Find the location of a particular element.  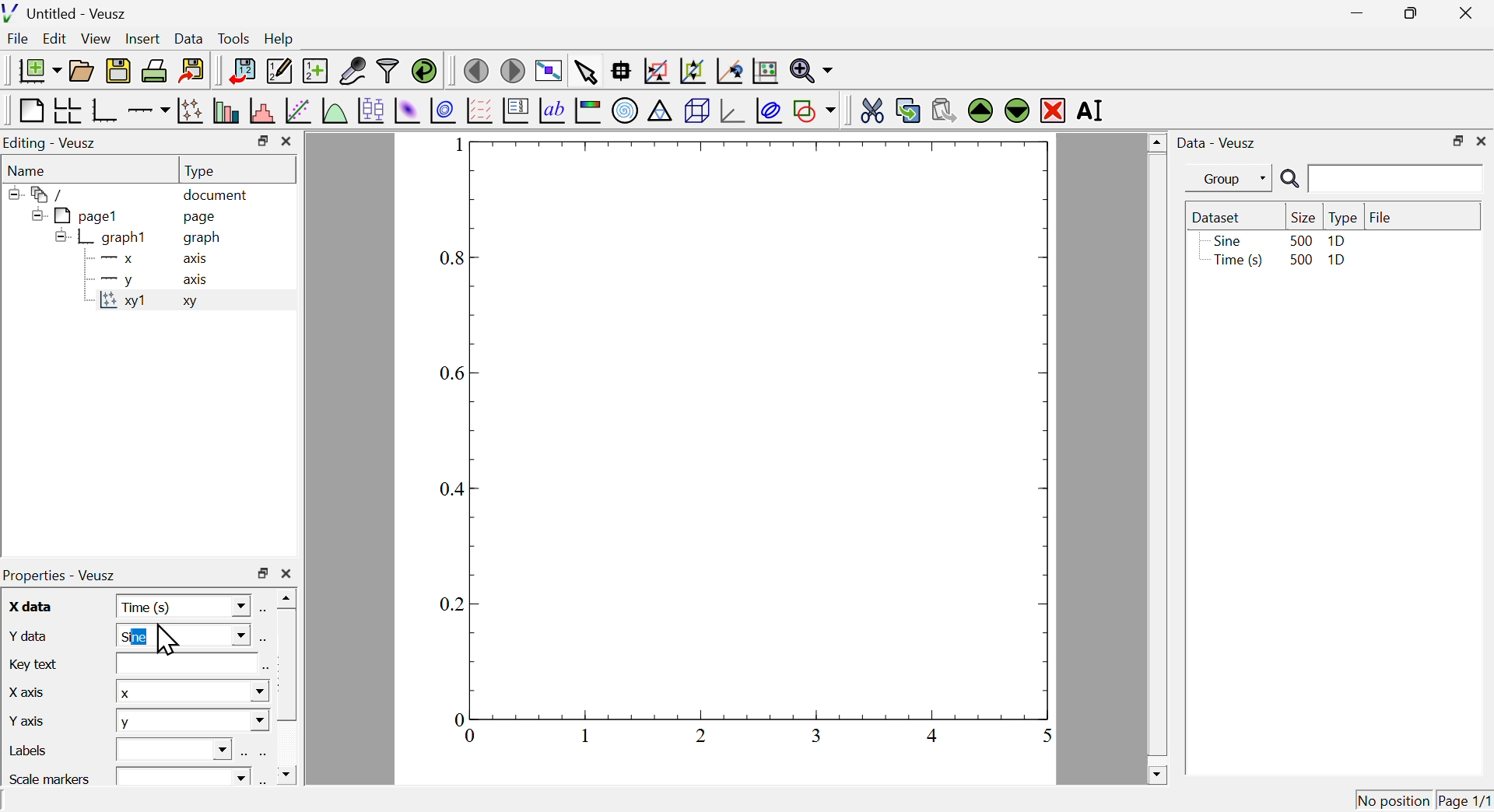

x is located at coordinates (191, 692).